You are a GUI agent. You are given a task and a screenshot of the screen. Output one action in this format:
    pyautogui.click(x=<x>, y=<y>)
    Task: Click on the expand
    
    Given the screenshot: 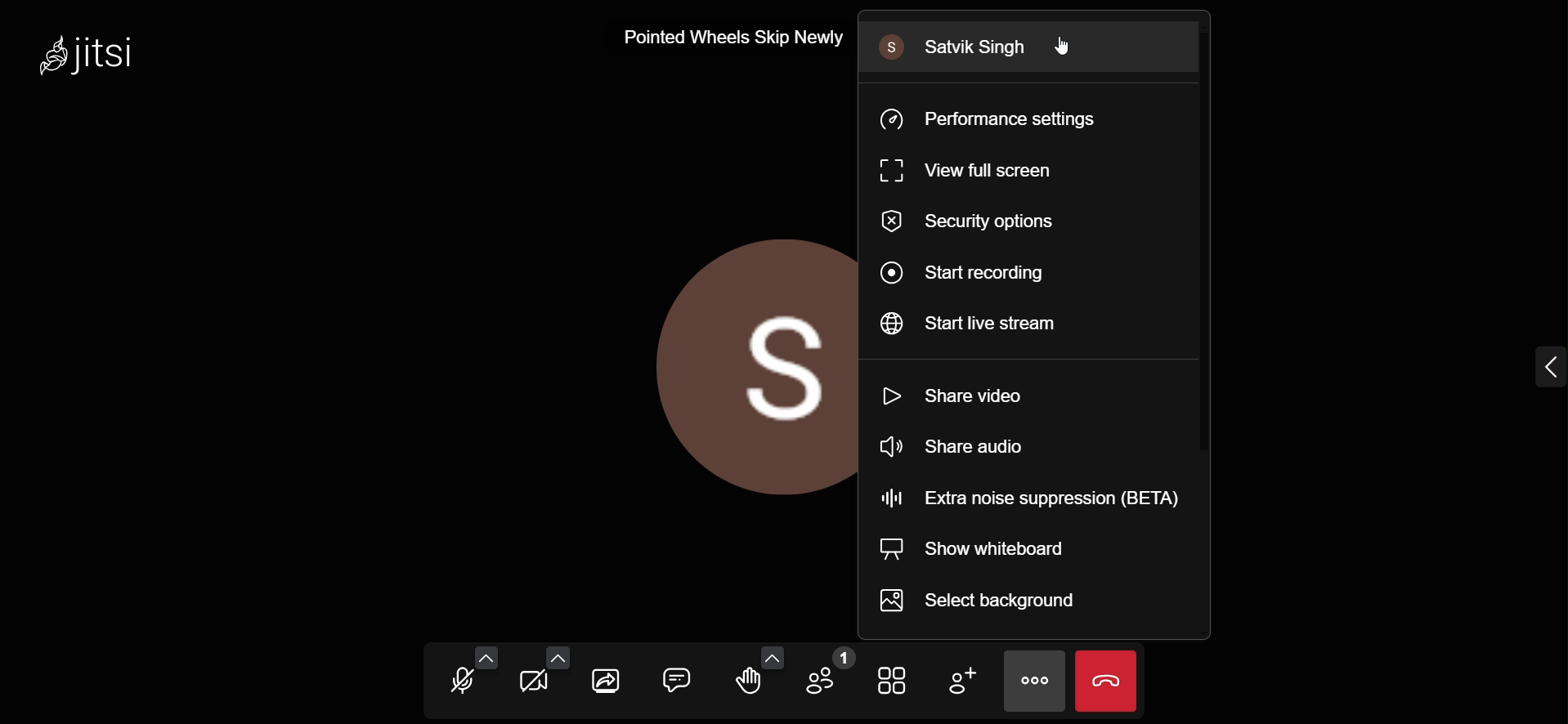 What is the action you would take?
    pyautogui.click(x=1535, y=364)
    